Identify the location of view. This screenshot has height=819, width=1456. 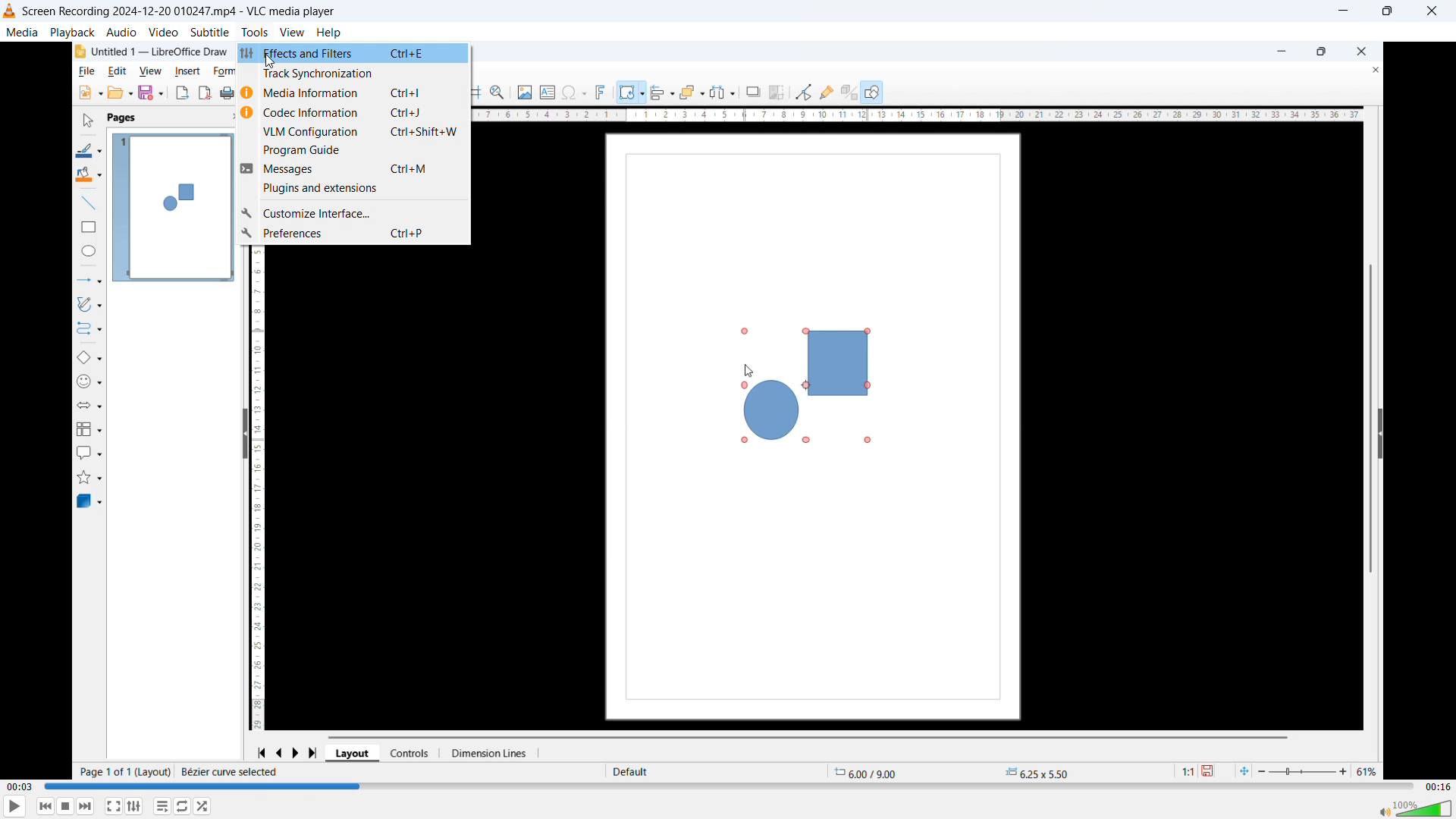
(293, 32).